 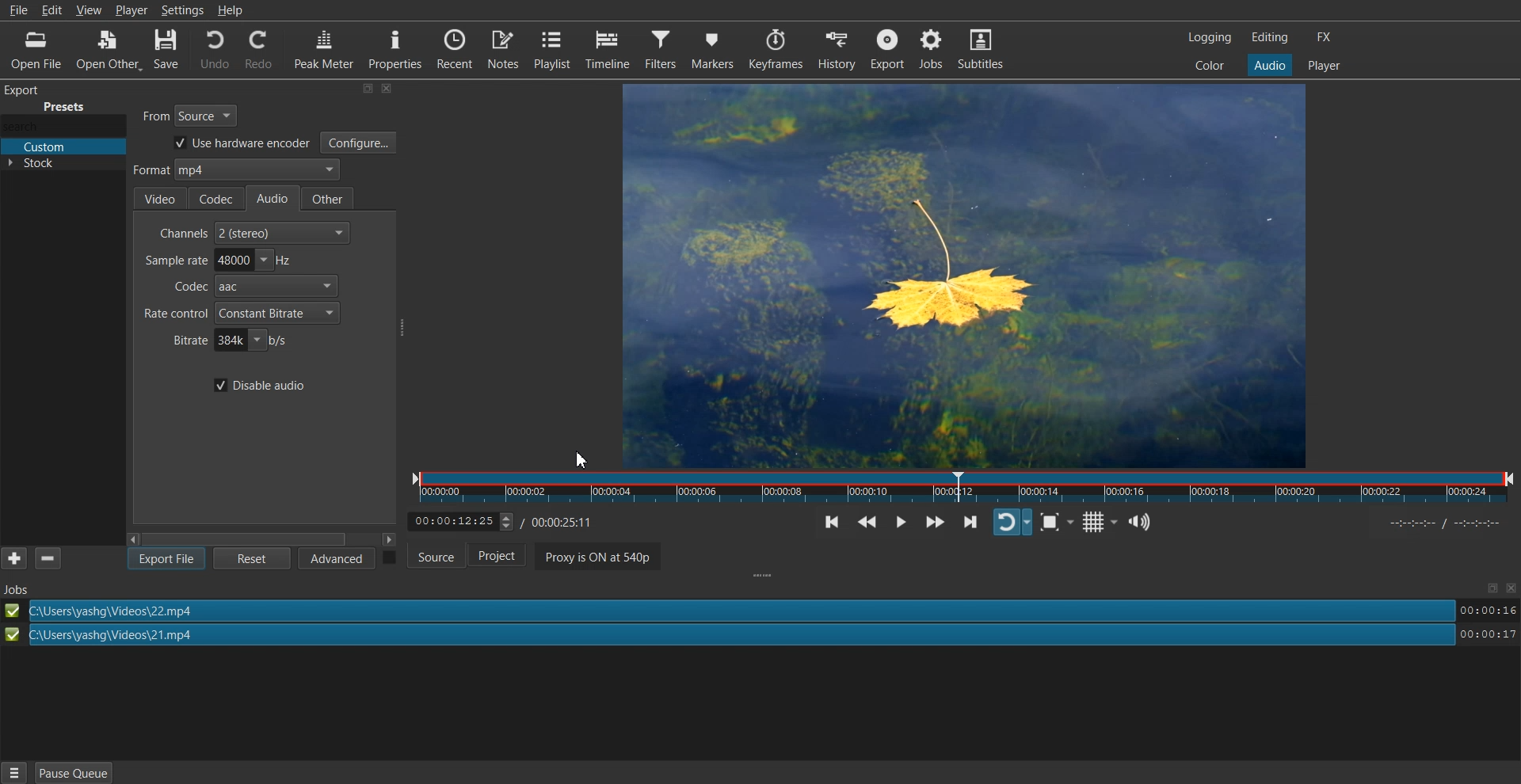 What do you see at coordinates (966, 525) in the screenshot?
I see `Skip to the next point` at bounding box center [966, 525].